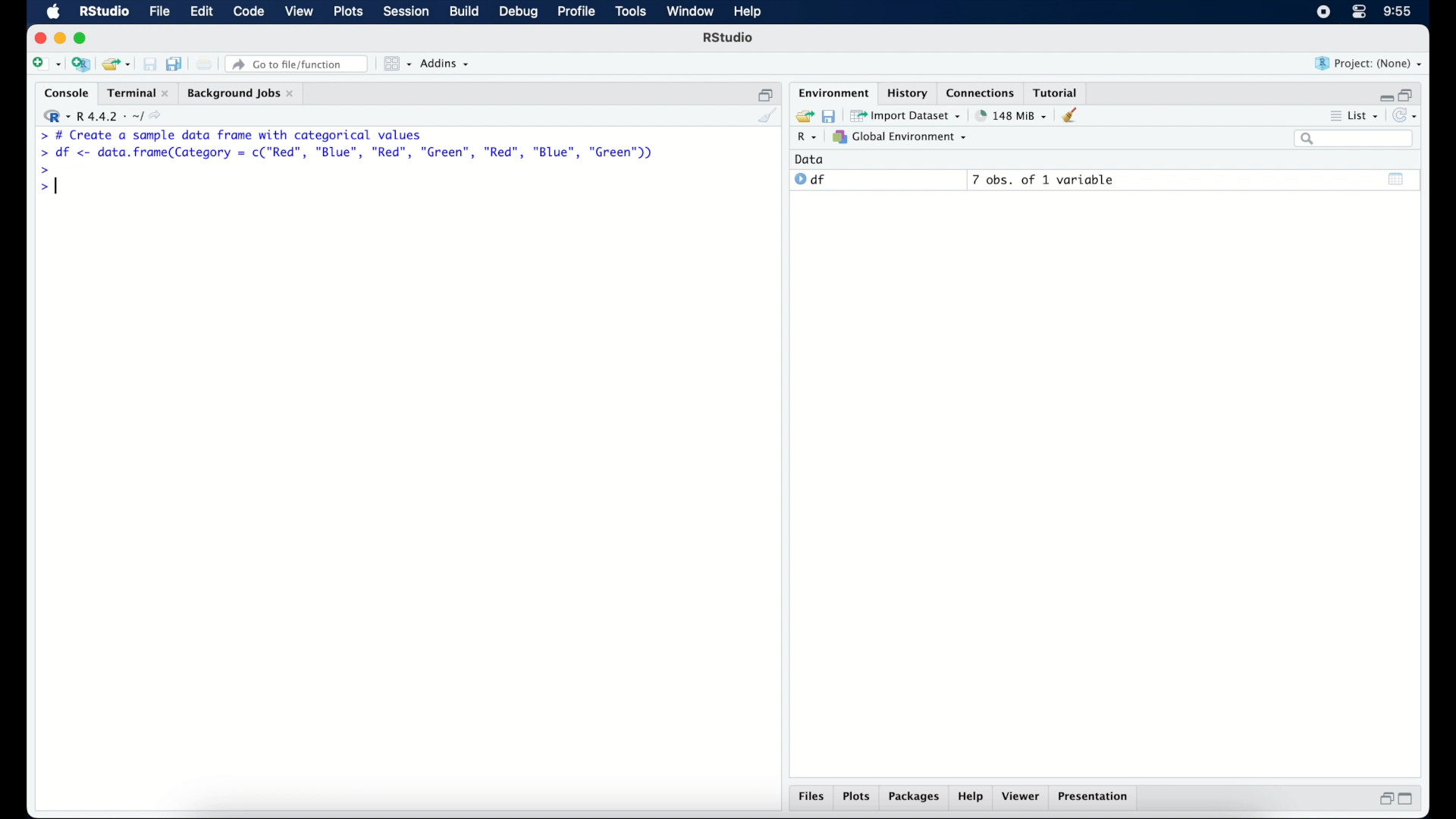 The image size is (1456, 819). I want to click on help, so click(973, 798).